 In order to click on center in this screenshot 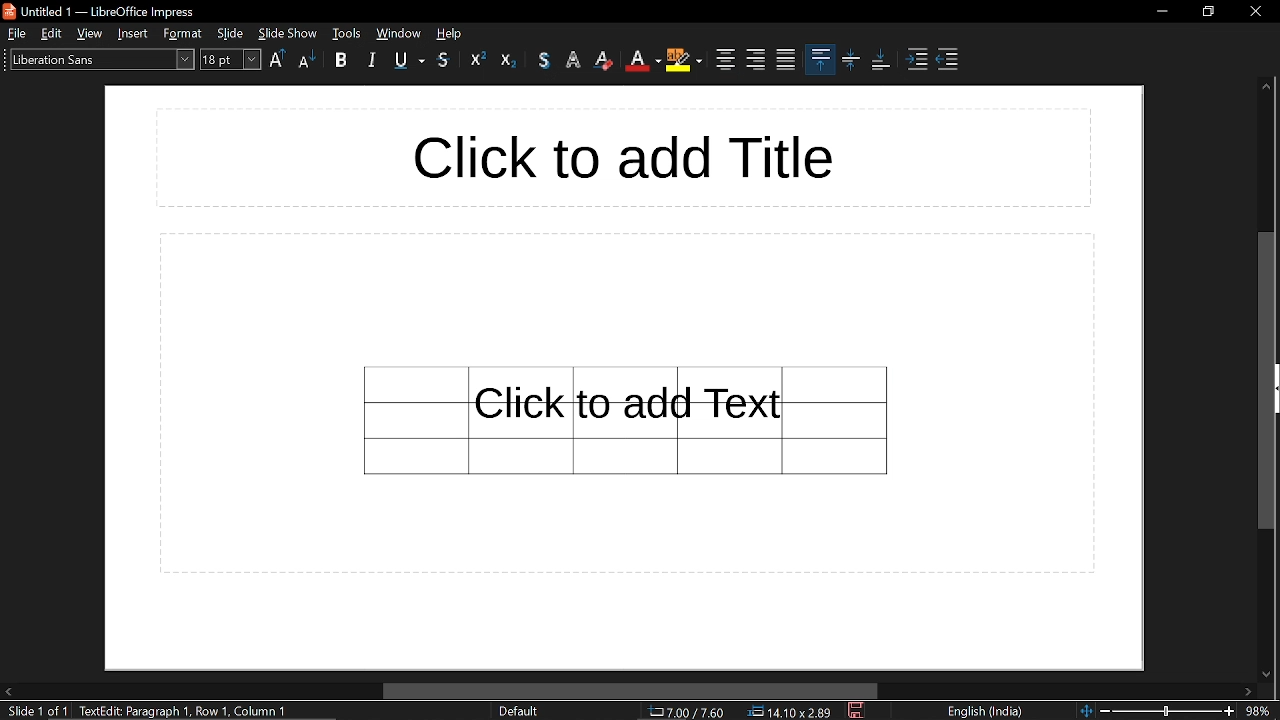, I will do `click(723, 60)`.